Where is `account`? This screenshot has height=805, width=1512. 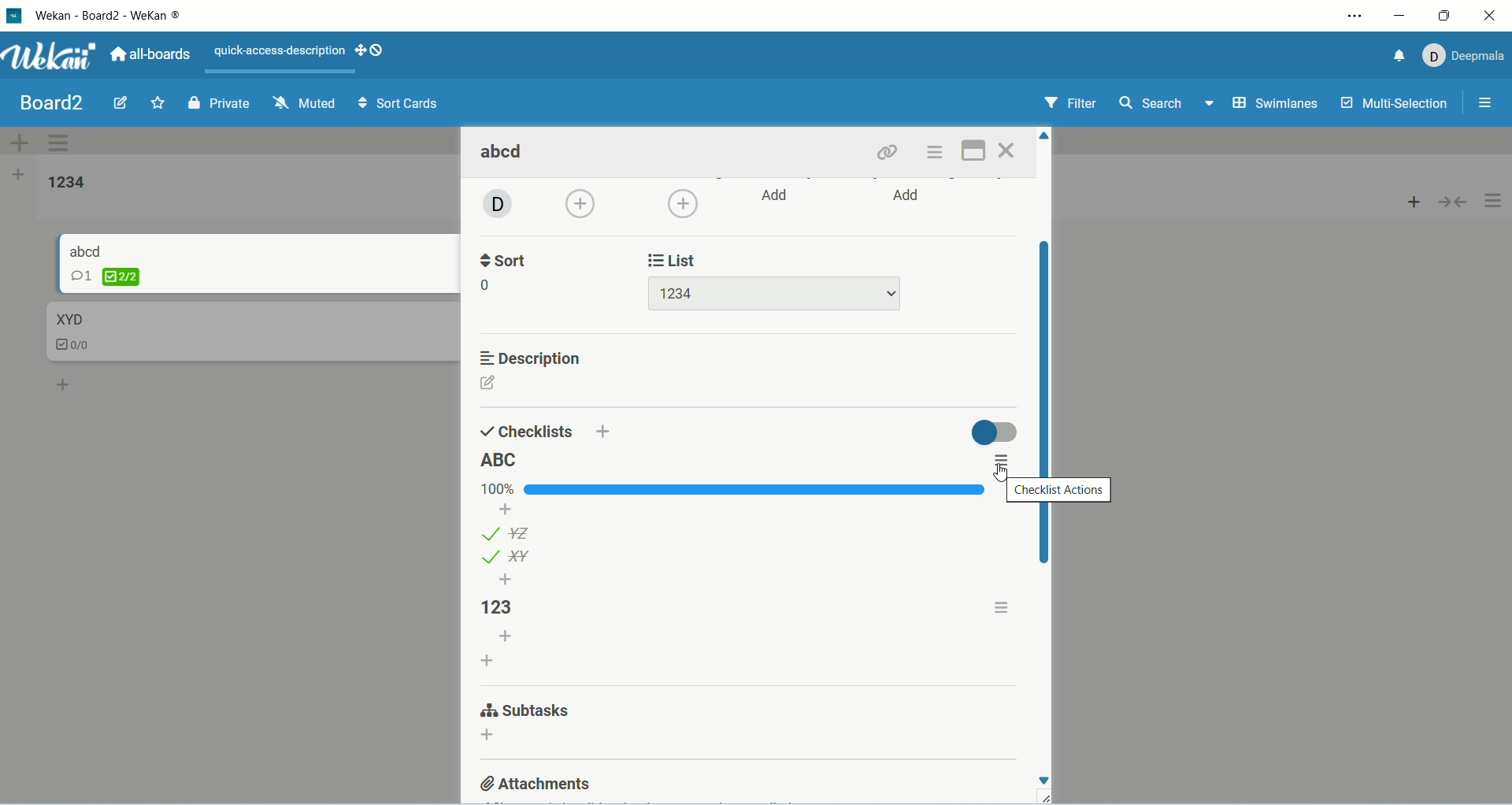 account is located at coordinates (1464, 56).